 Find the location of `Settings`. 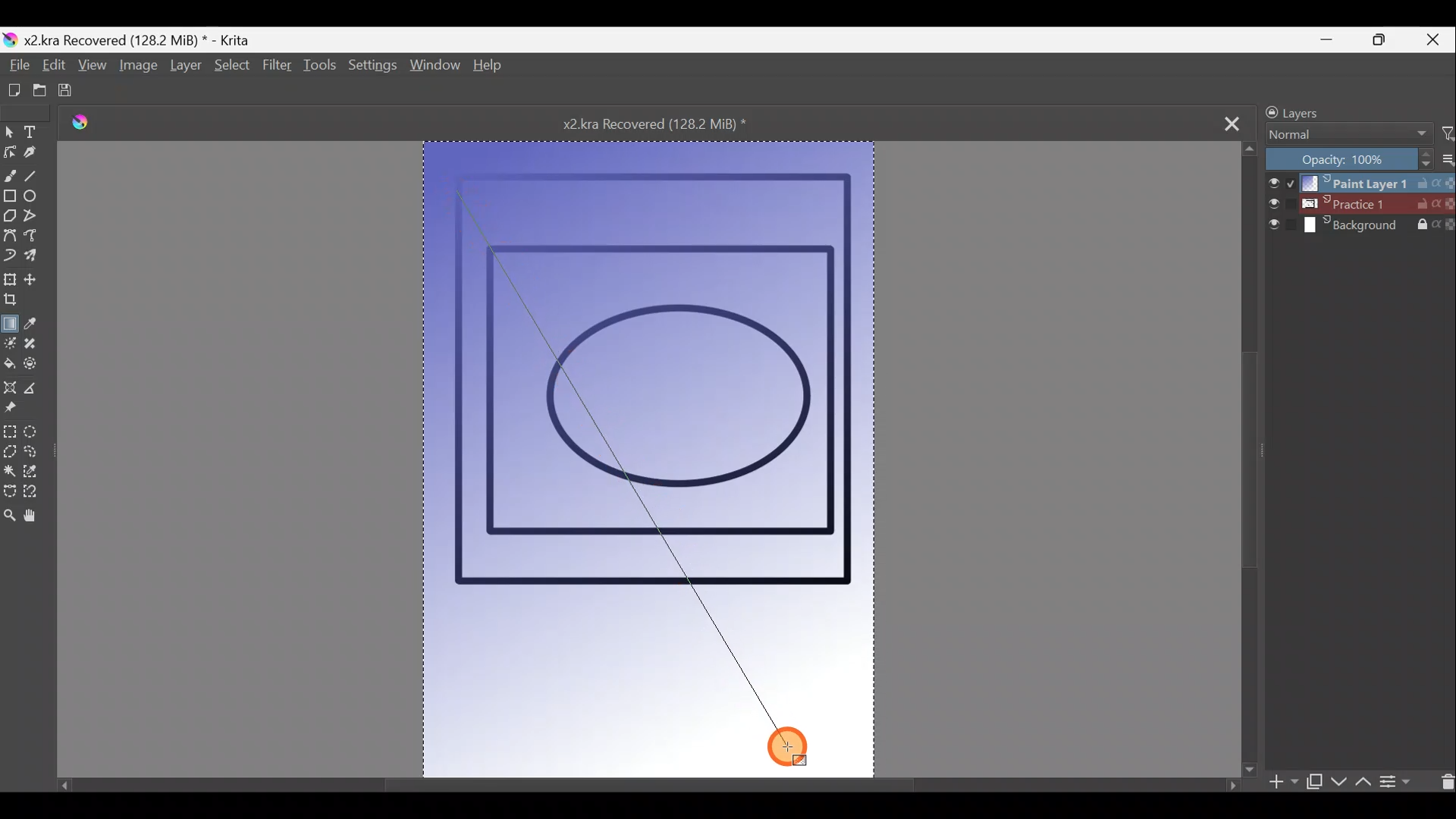

Settings is located at coordinates (374, 70).